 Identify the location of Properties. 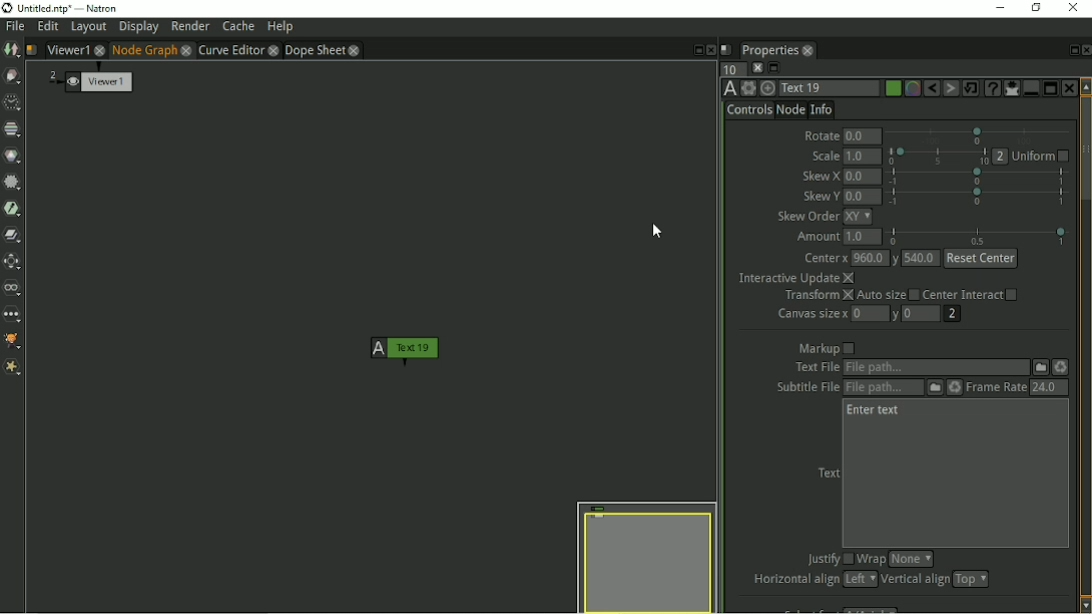
(769, 50).